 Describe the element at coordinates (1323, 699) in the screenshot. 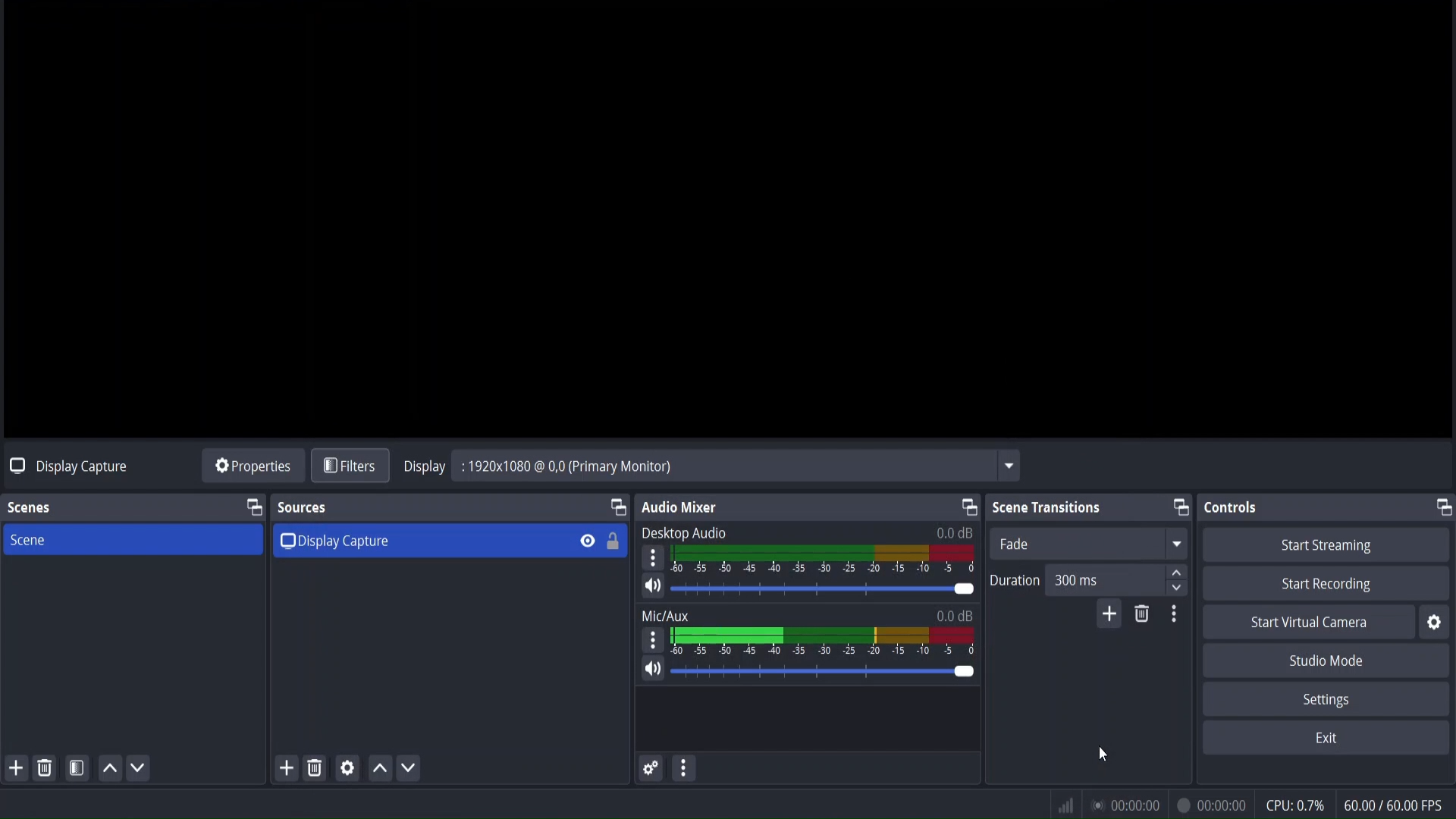

I see `settings` at that location.